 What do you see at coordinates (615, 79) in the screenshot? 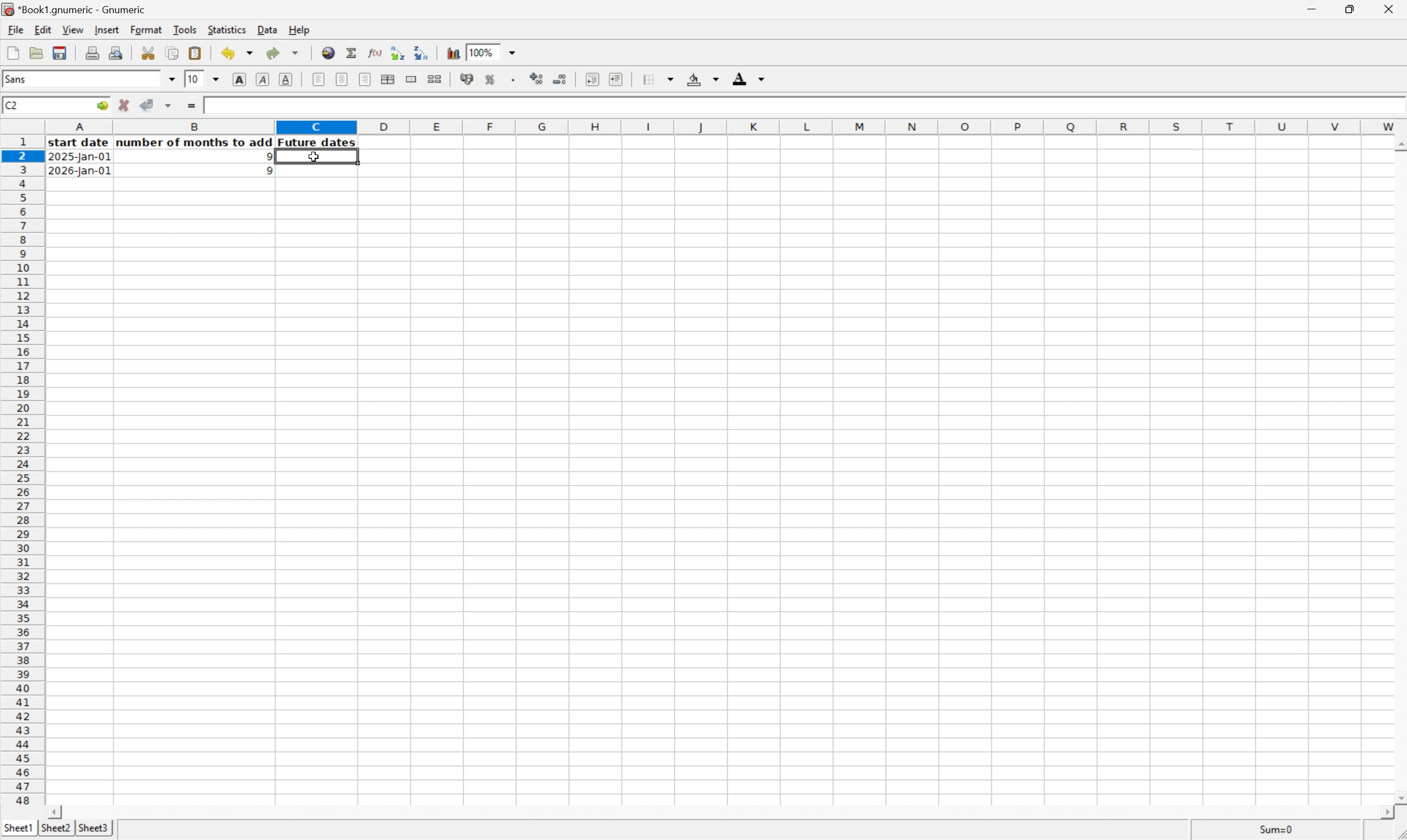
I see `Increase indent, and align the contents to the left` at bounding box center [615, 79].